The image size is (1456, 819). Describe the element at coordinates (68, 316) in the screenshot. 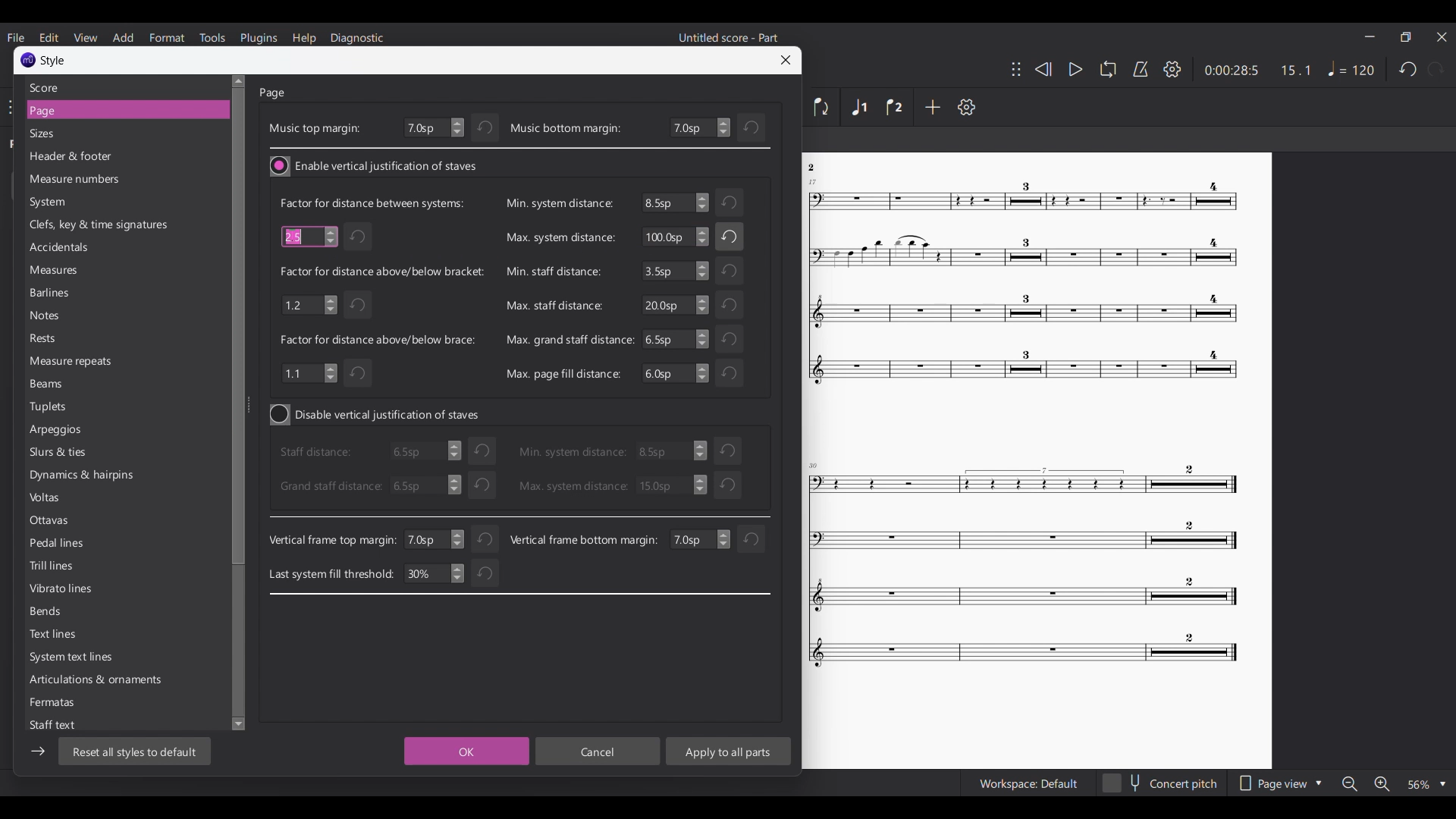

I see `Notes` at that location.